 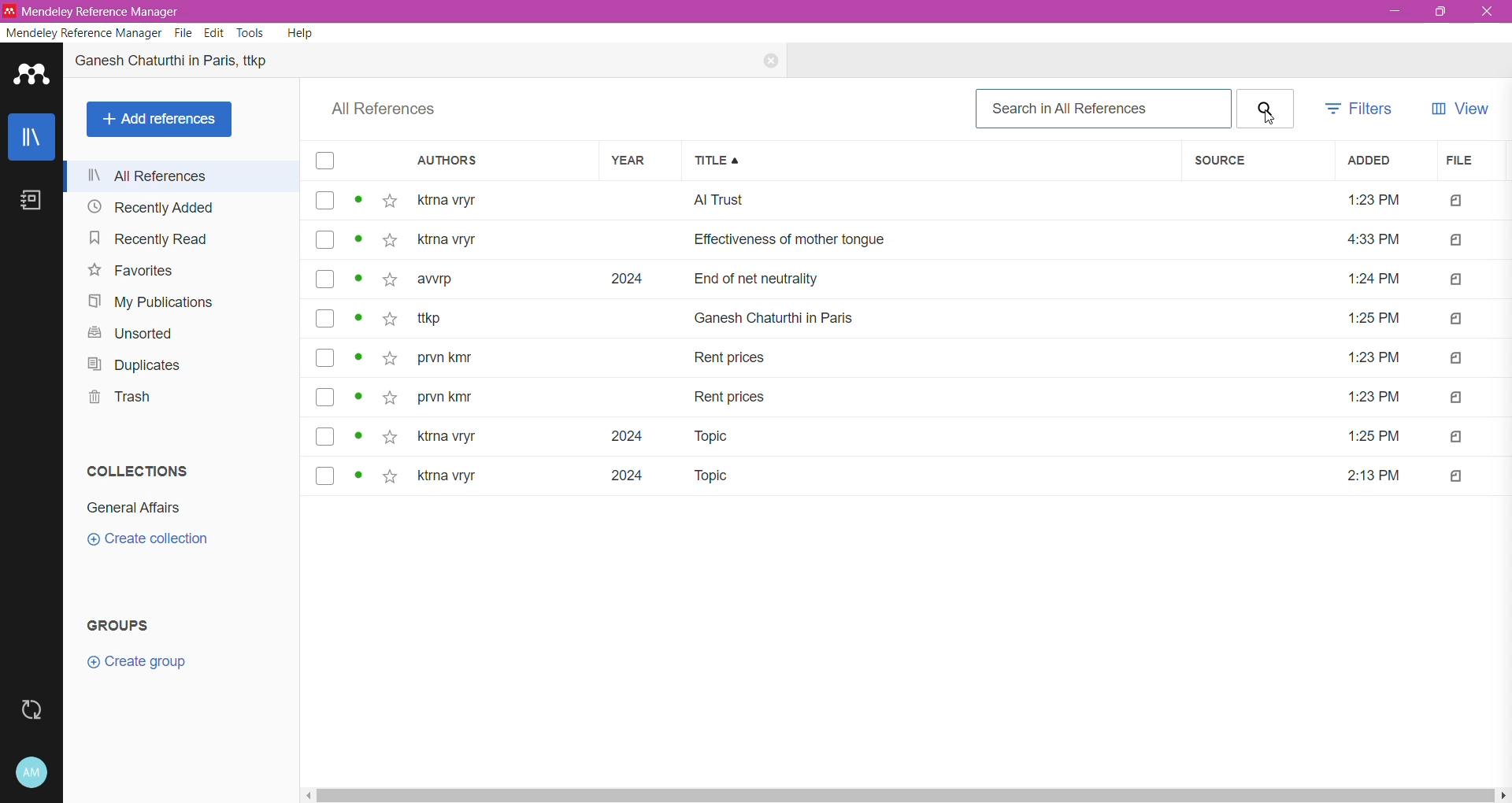 What do you see at coordinates (1455, 281) in the screenshot?
I see `file type` at bounding box center [1455, 281].